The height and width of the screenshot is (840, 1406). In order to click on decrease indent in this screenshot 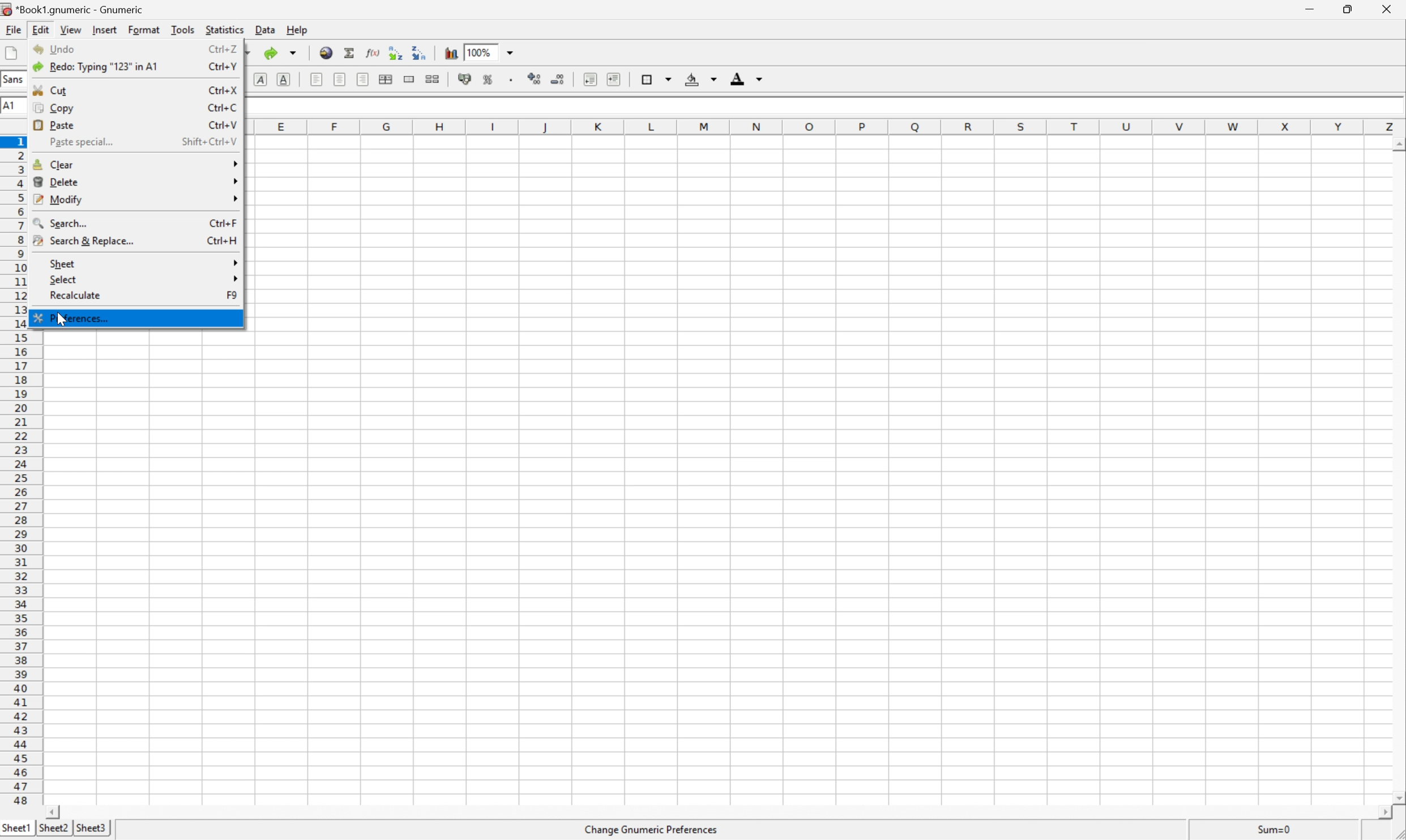, I will do `click(588, 80)`.